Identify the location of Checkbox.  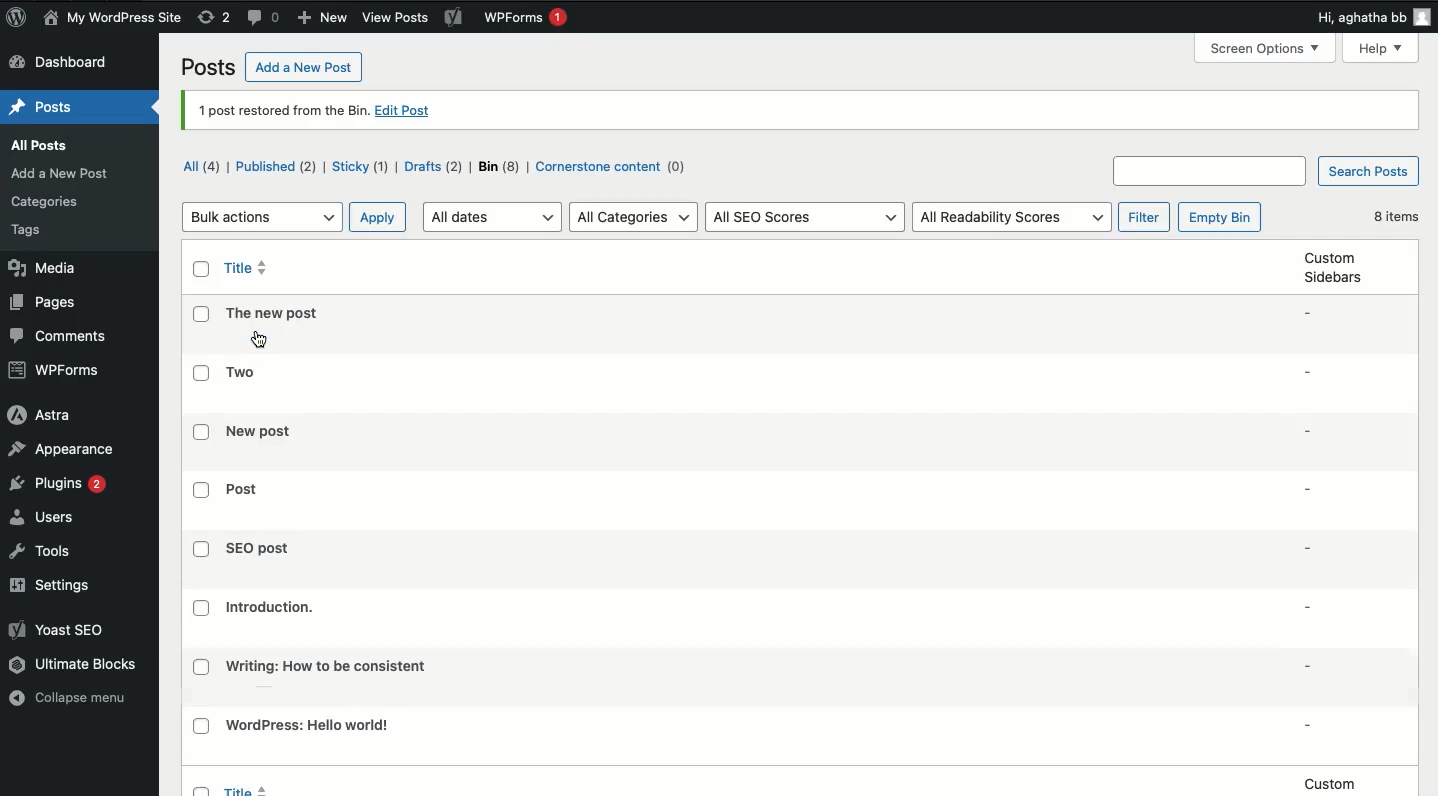
(203, 429).